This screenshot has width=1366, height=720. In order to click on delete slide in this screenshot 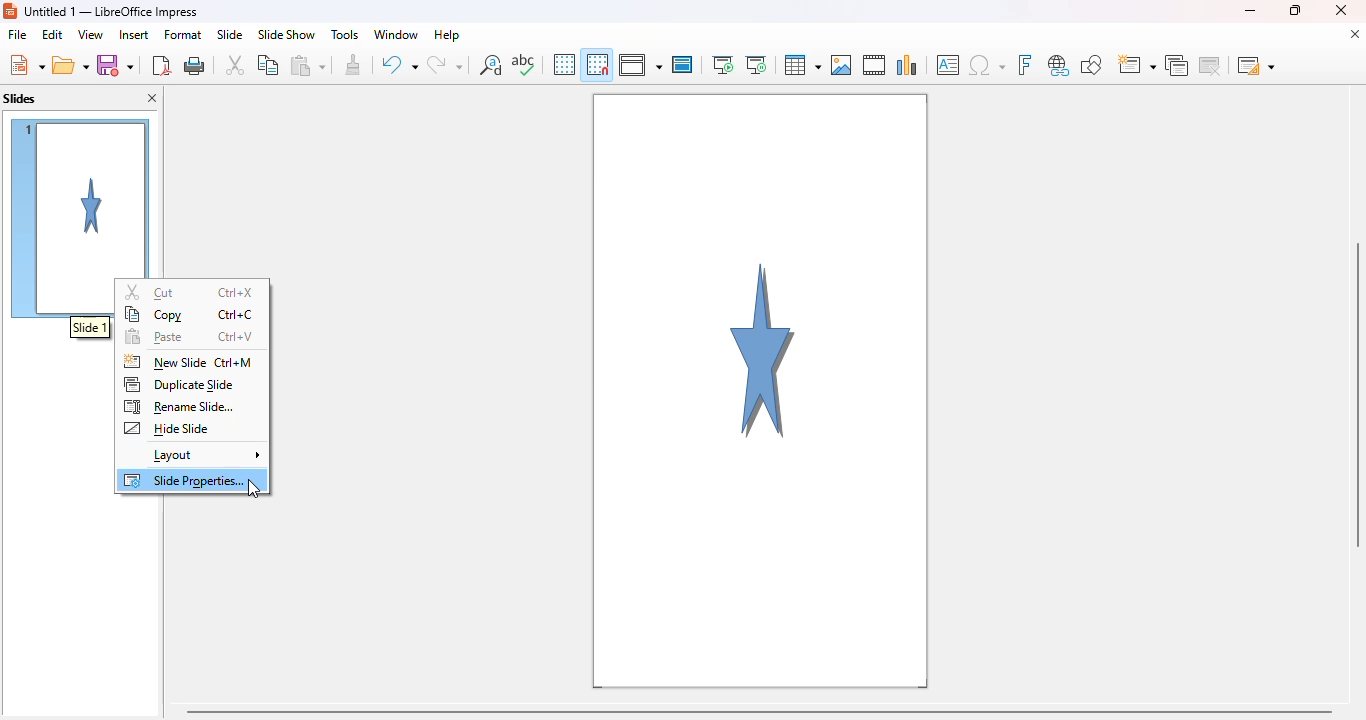, I will do `click(1210, 65)`.